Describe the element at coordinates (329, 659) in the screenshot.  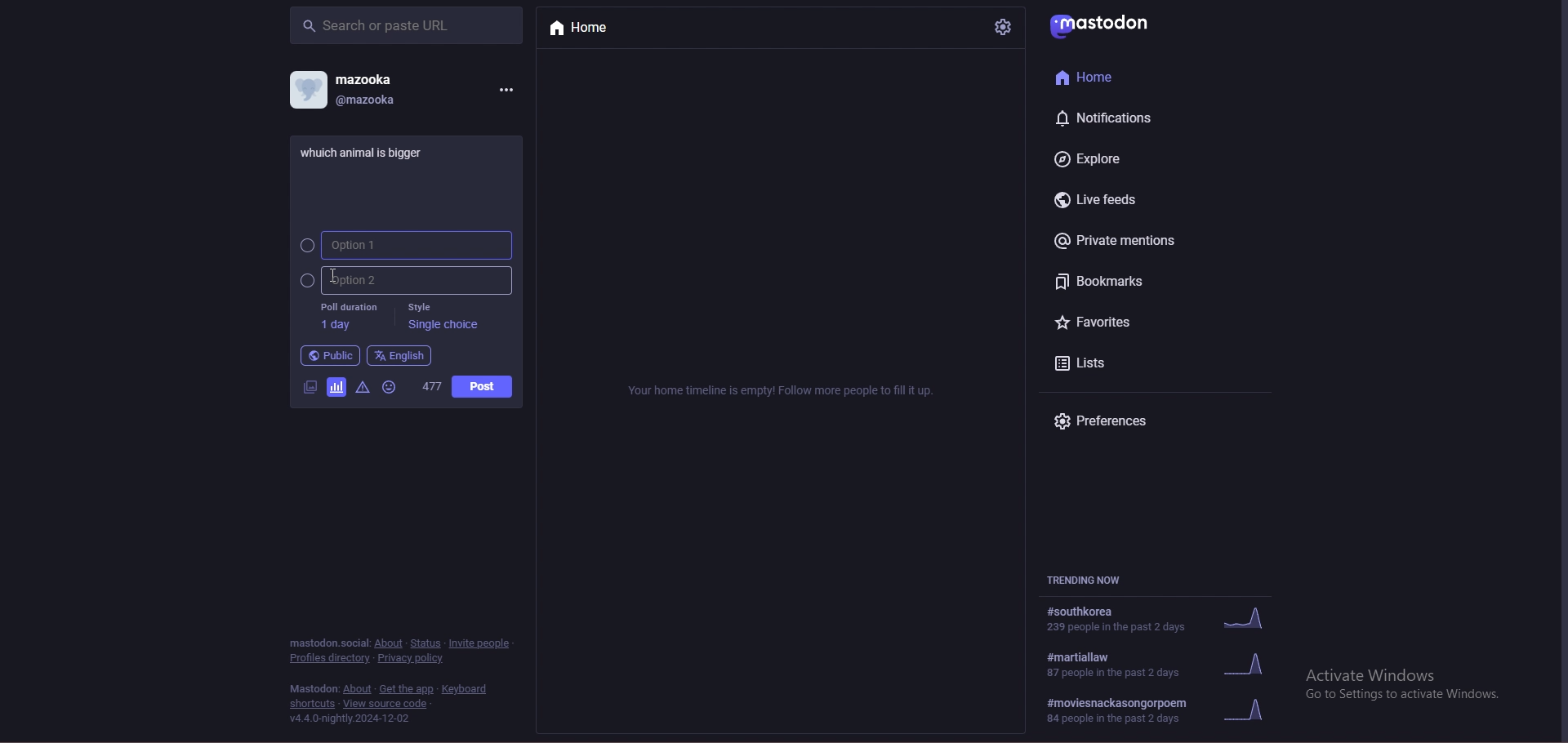
I see `profiles directory` at that location.